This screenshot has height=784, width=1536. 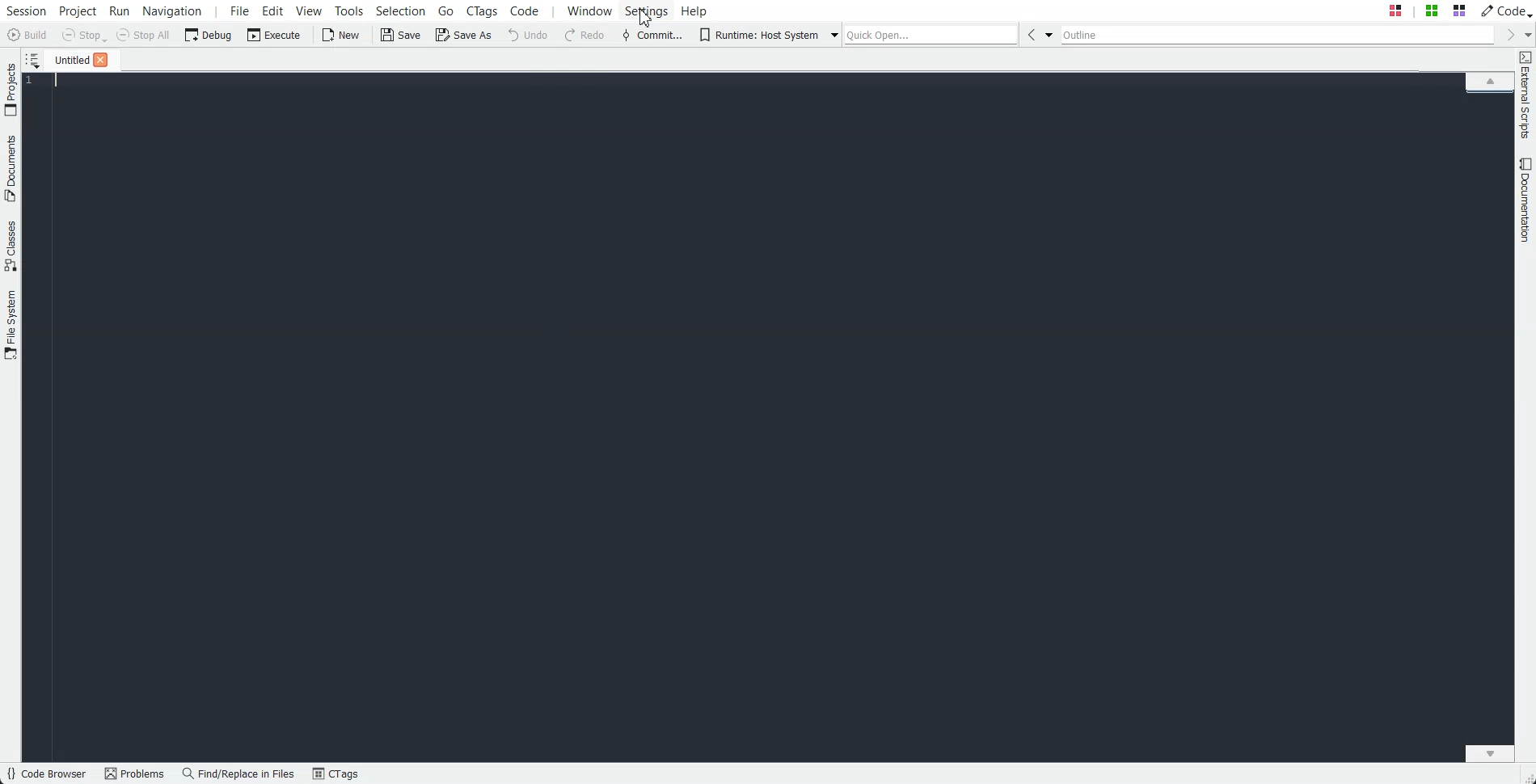 What do you see at coordinates (1490, 752) in the screenshot?
I see `Scroll down` at bounding box center [1490, 752].